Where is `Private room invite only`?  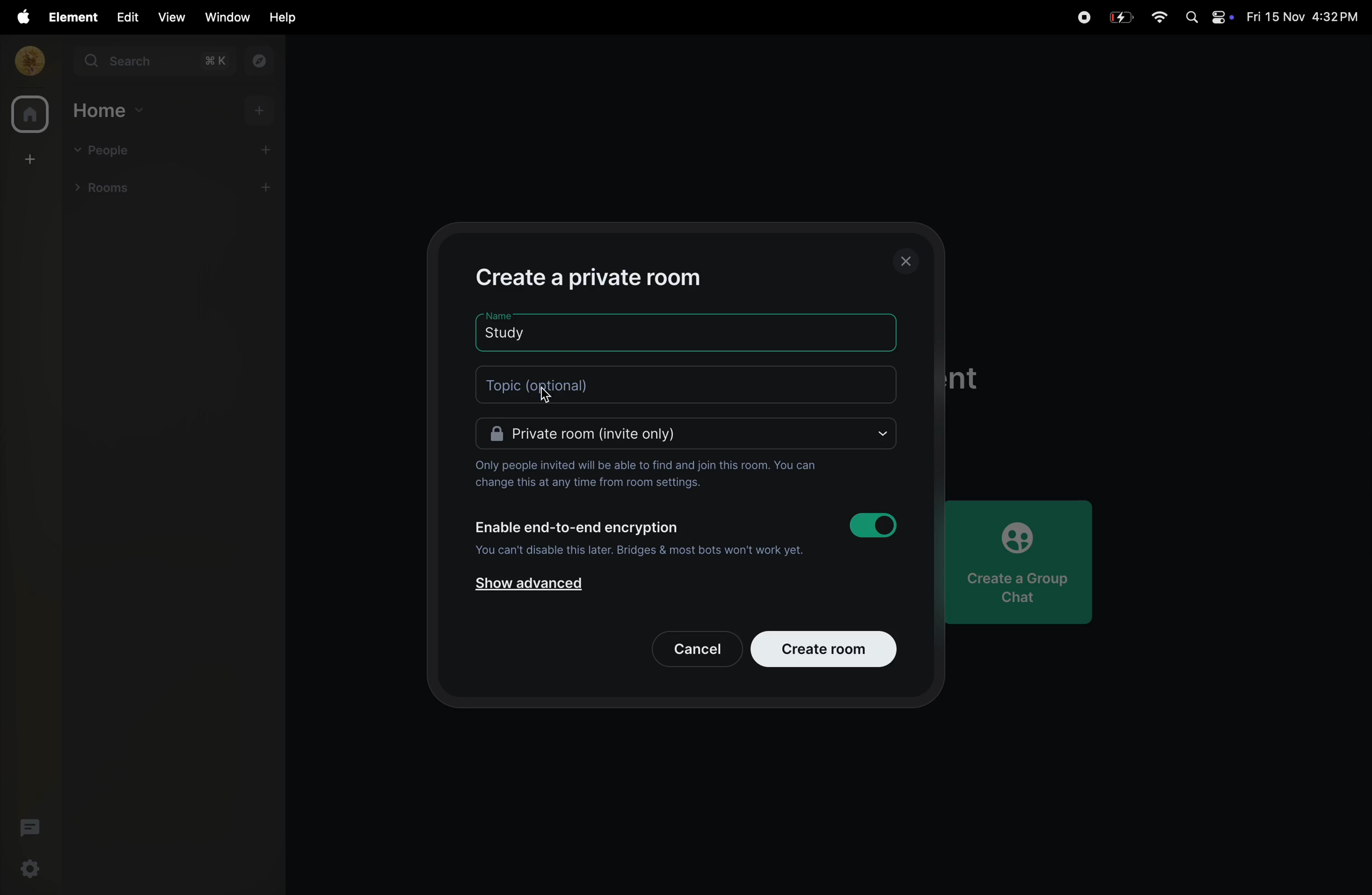 Private room invite only is located at coordinates (687, 435).